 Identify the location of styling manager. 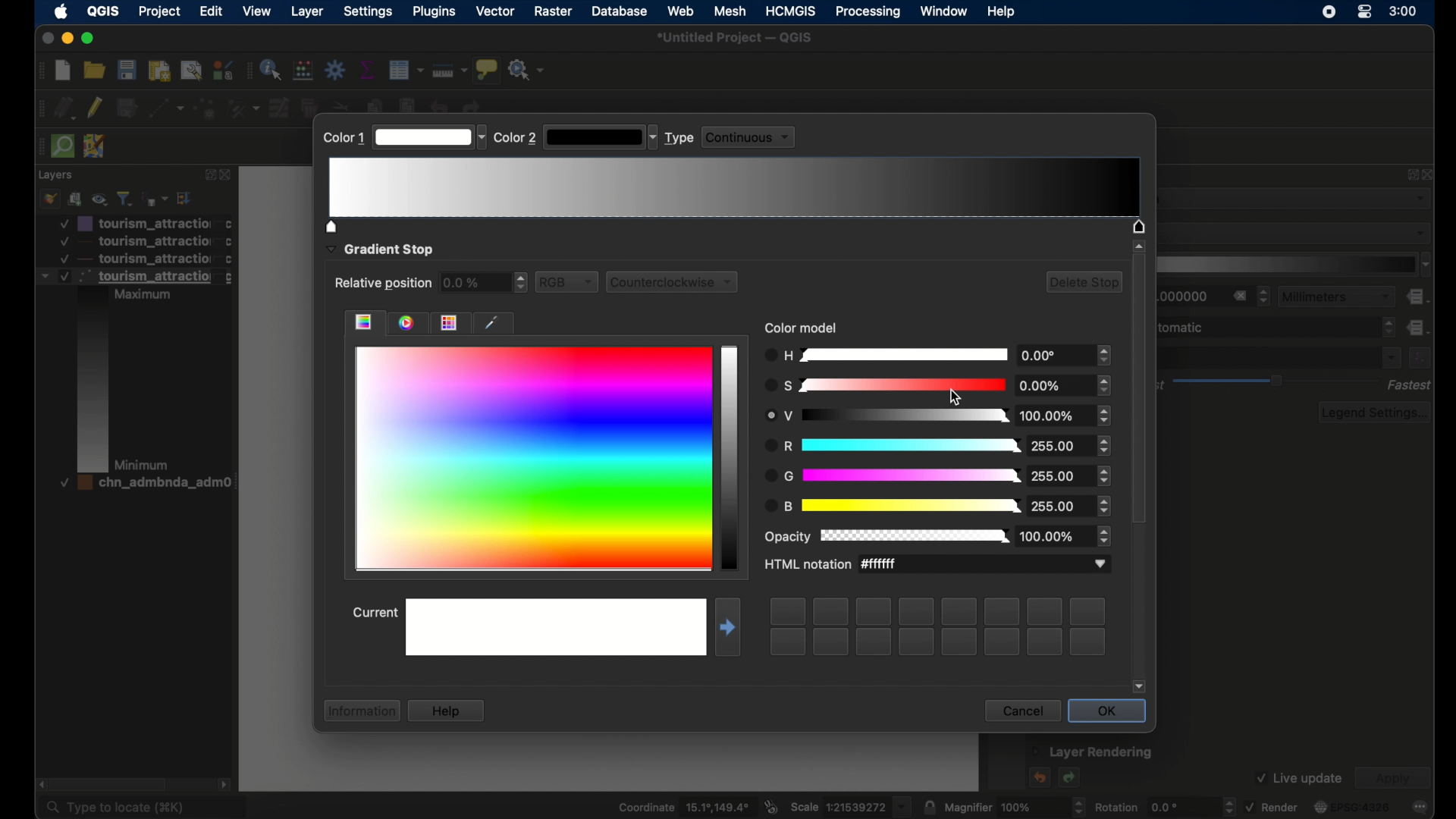
(221, 71).